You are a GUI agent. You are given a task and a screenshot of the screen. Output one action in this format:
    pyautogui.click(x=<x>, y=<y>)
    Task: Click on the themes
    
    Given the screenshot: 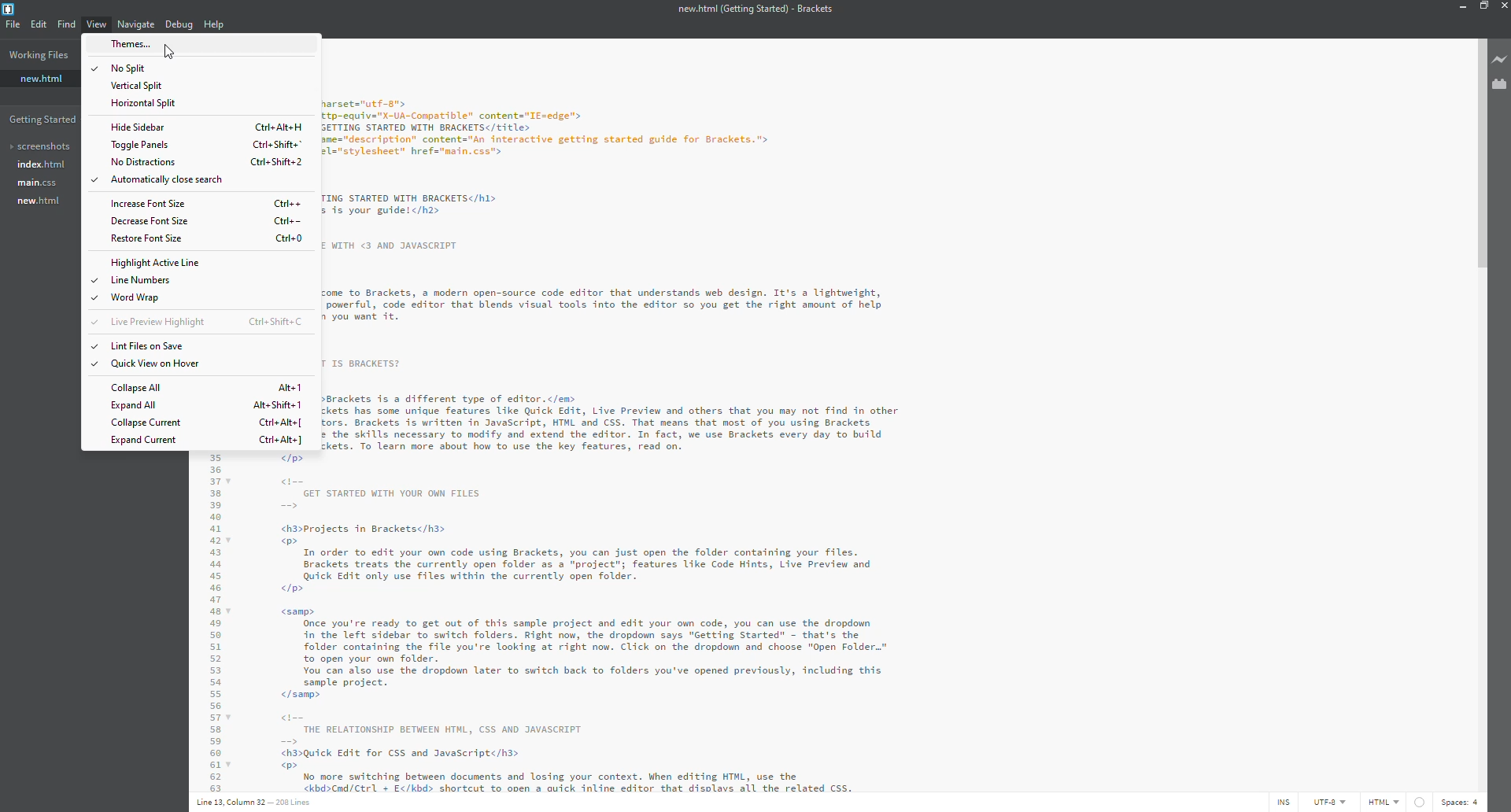 What is the action you would take?
    pyautogui.click(x=135, y=43)
    